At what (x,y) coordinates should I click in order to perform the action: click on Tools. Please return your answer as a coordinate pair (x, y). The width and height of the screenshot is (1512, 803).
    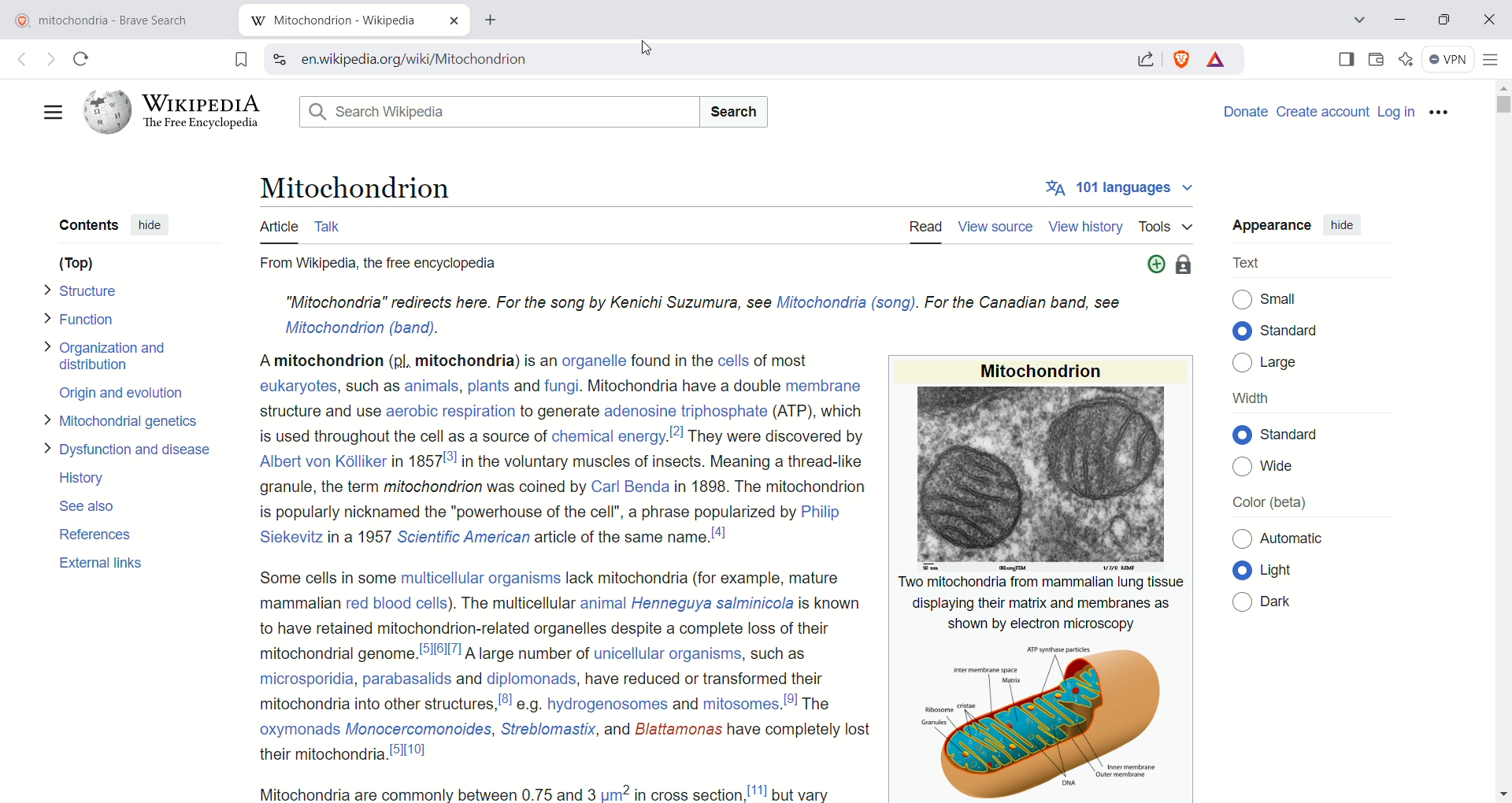
    Looking at the image, I should click on (1172, 226).